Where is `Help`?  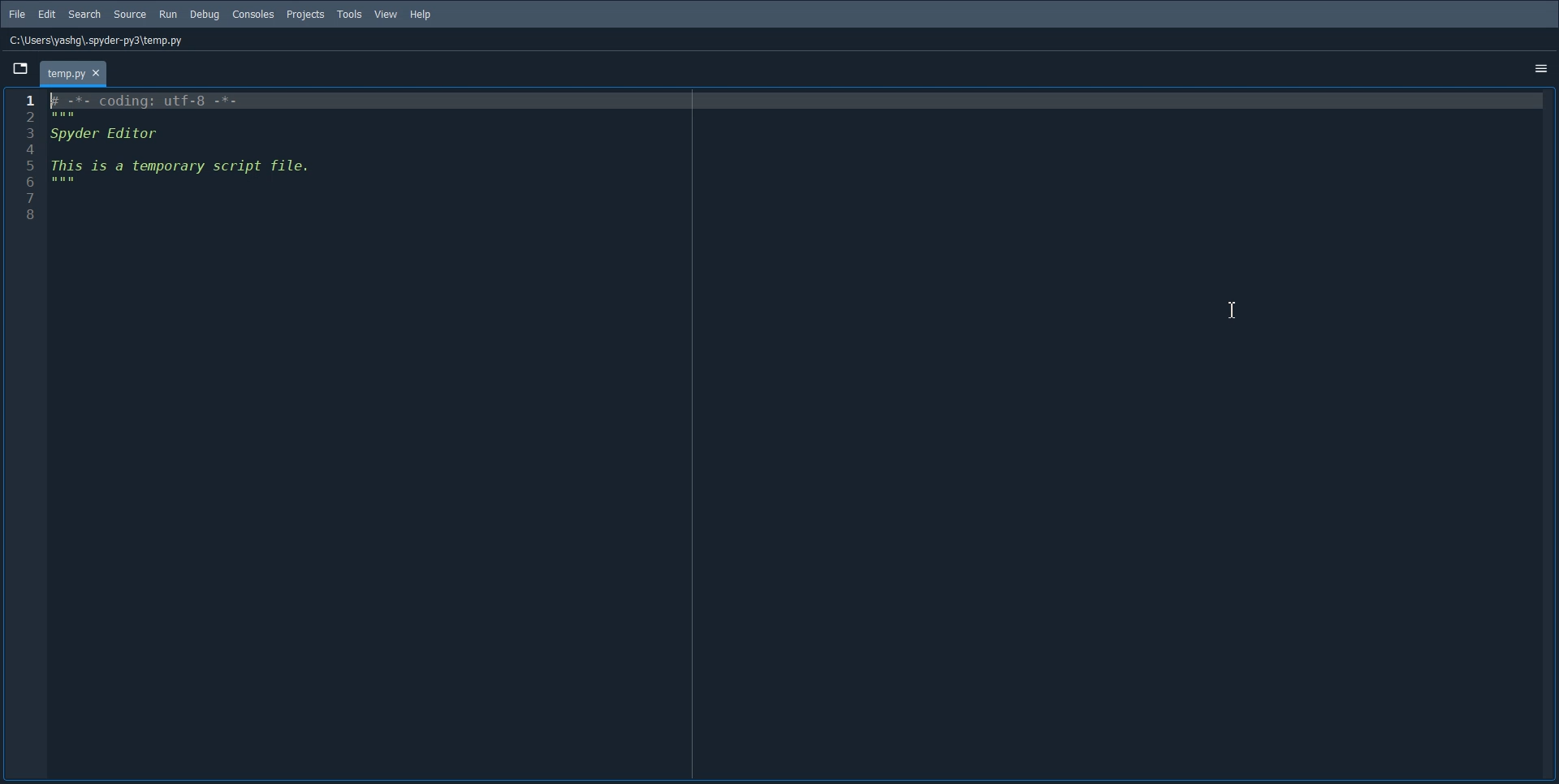 Help is located at coordinates (421, 15).